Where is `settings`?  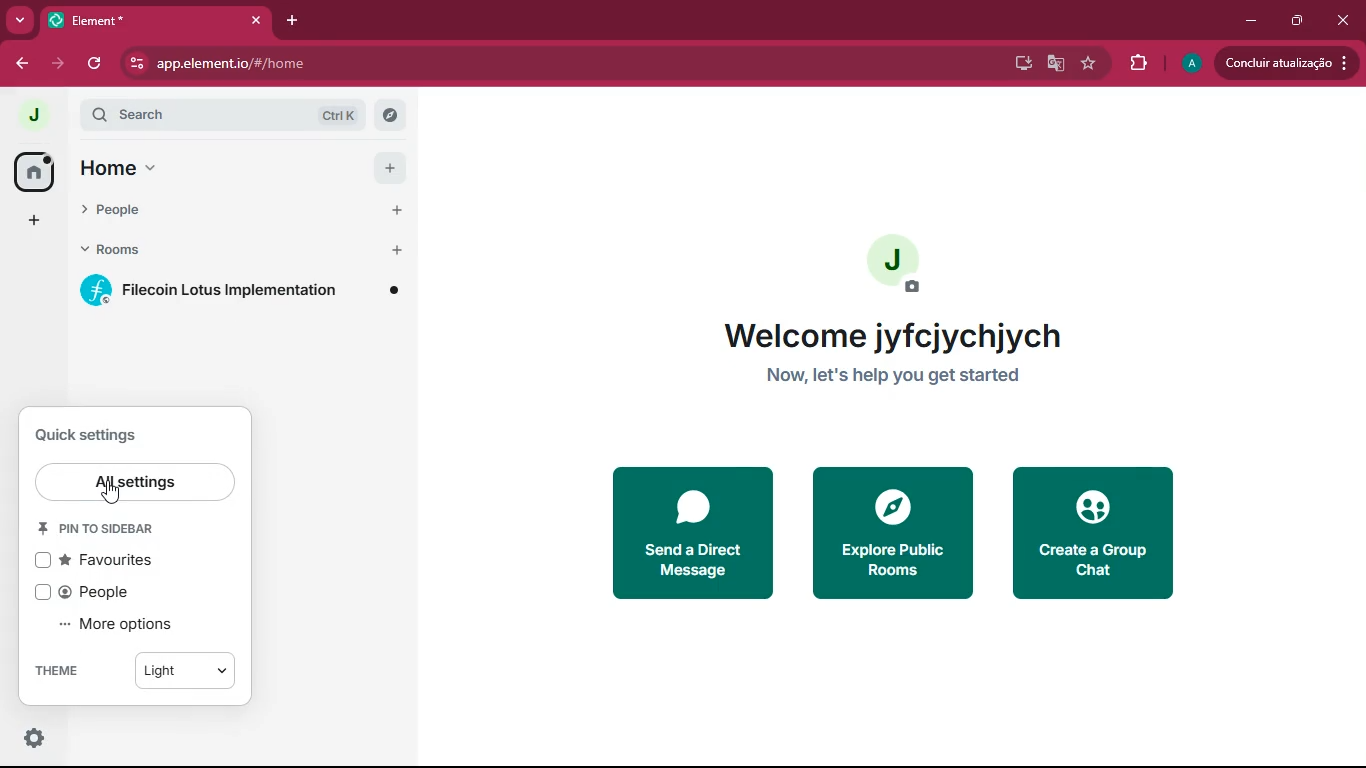
settings is located at coordinates (35, 739).